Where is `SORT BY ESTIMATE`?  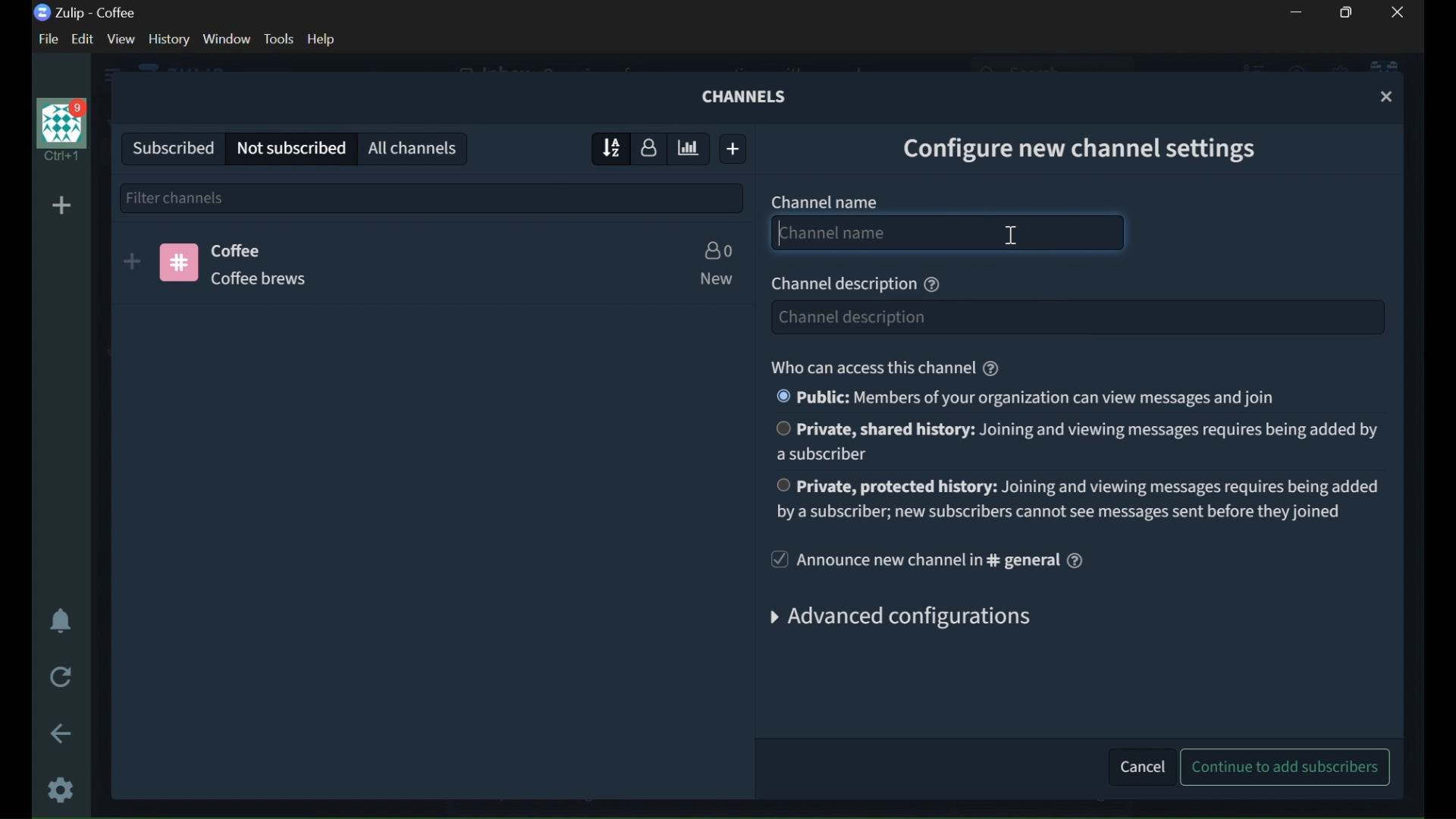
SORT BY ESTIMATE is located at coordinates (690, 149).